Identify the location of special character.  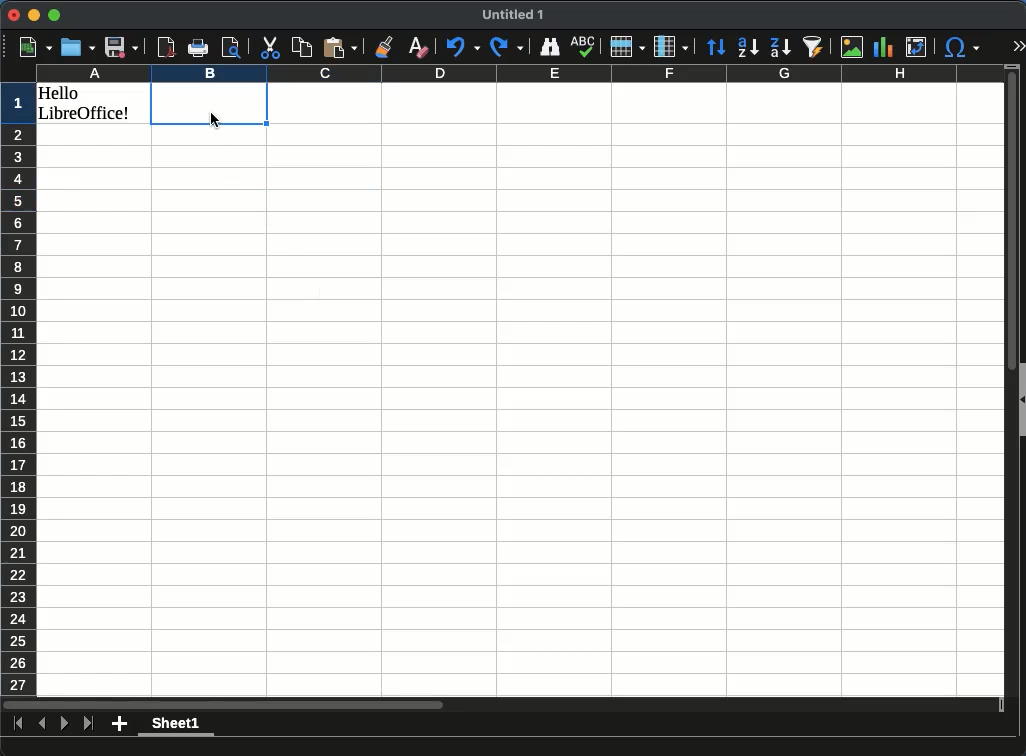
(960, 44).